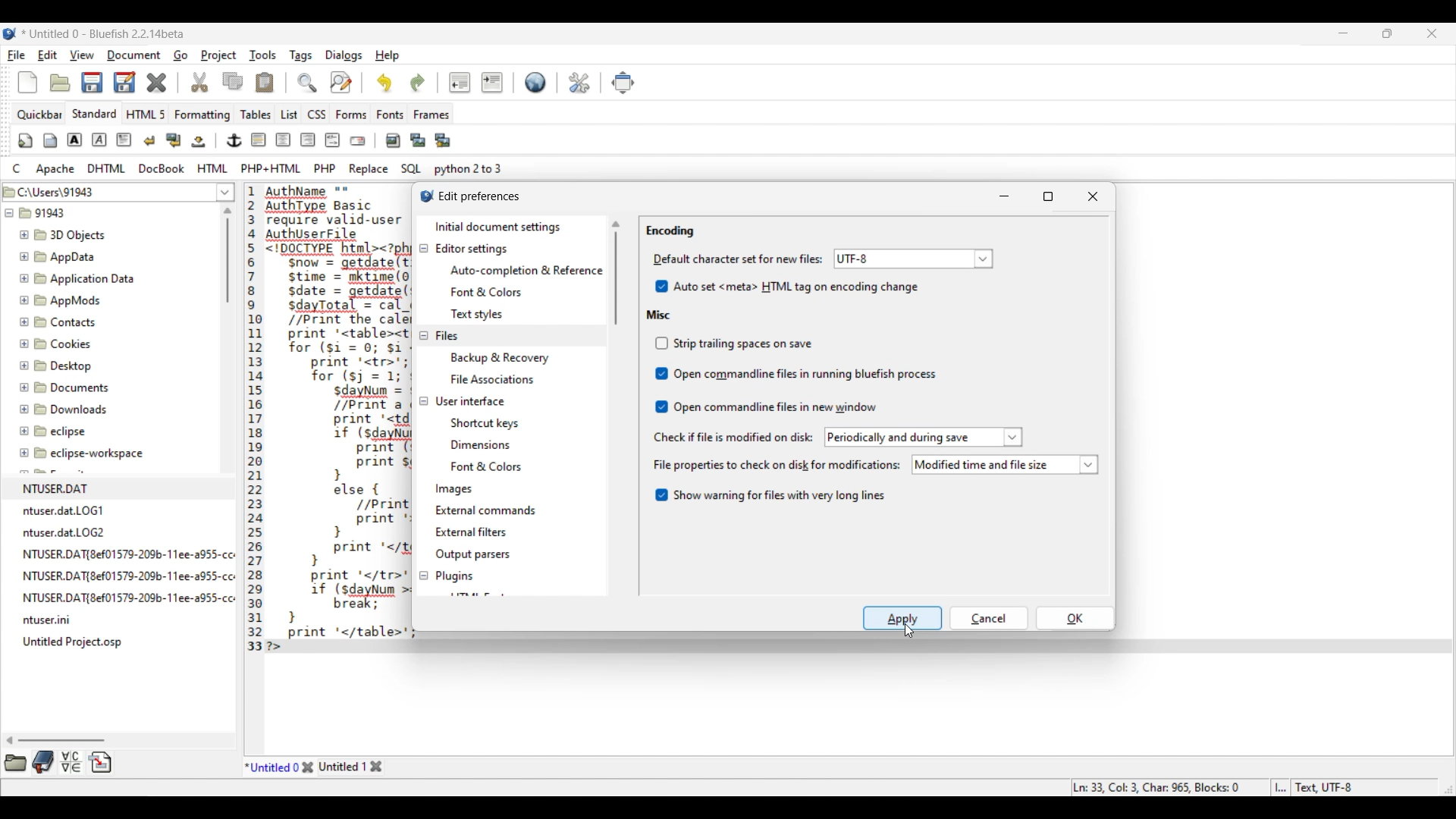 The image size is (1456, 819). Describe the element at coordinates (616, 273) in the screenshot. I see `Vertical slide bar` at that location.